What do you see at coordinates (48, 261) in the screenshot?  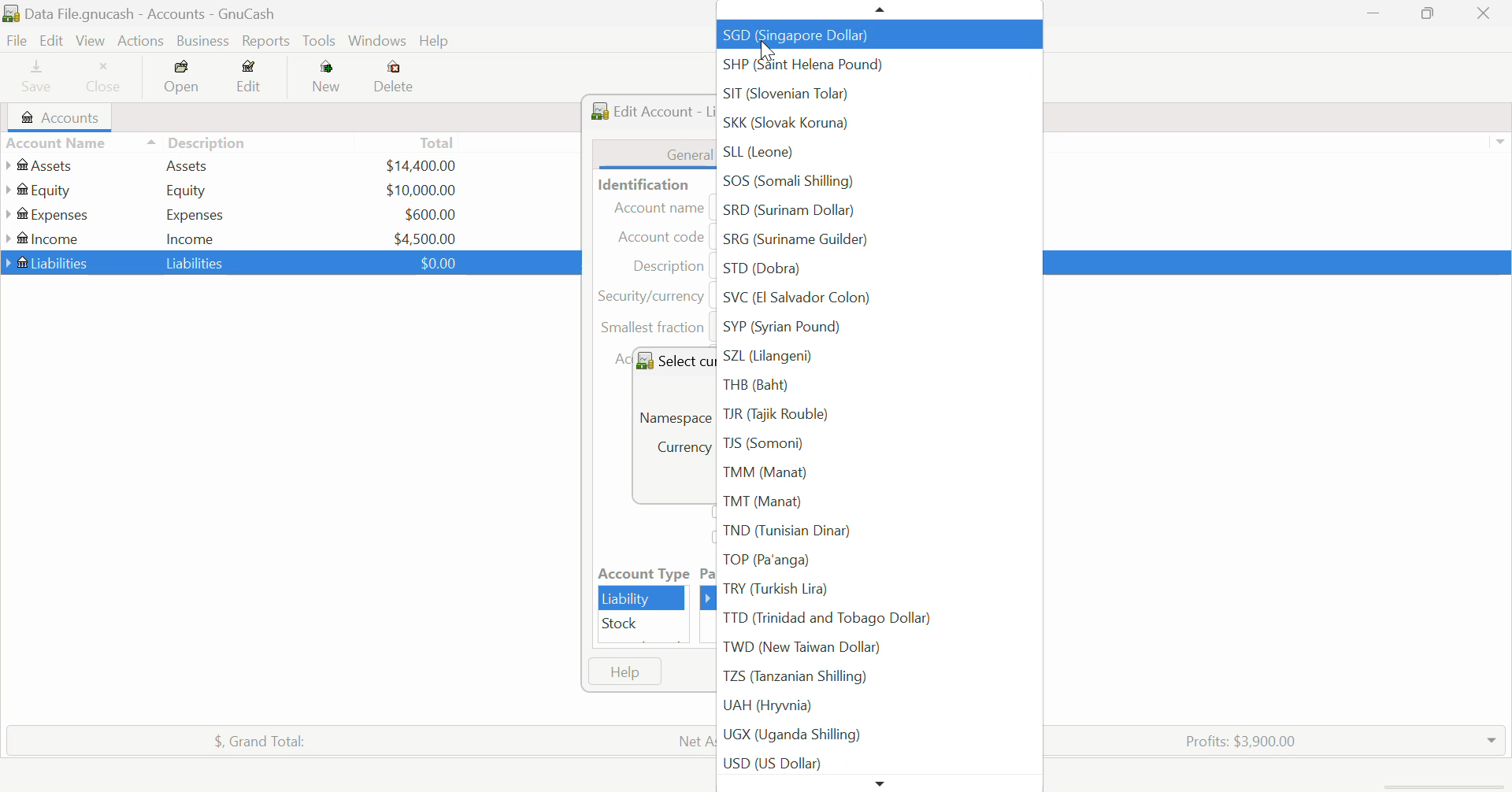 I see `Liabilities Account` at bounding box center [48, 261].